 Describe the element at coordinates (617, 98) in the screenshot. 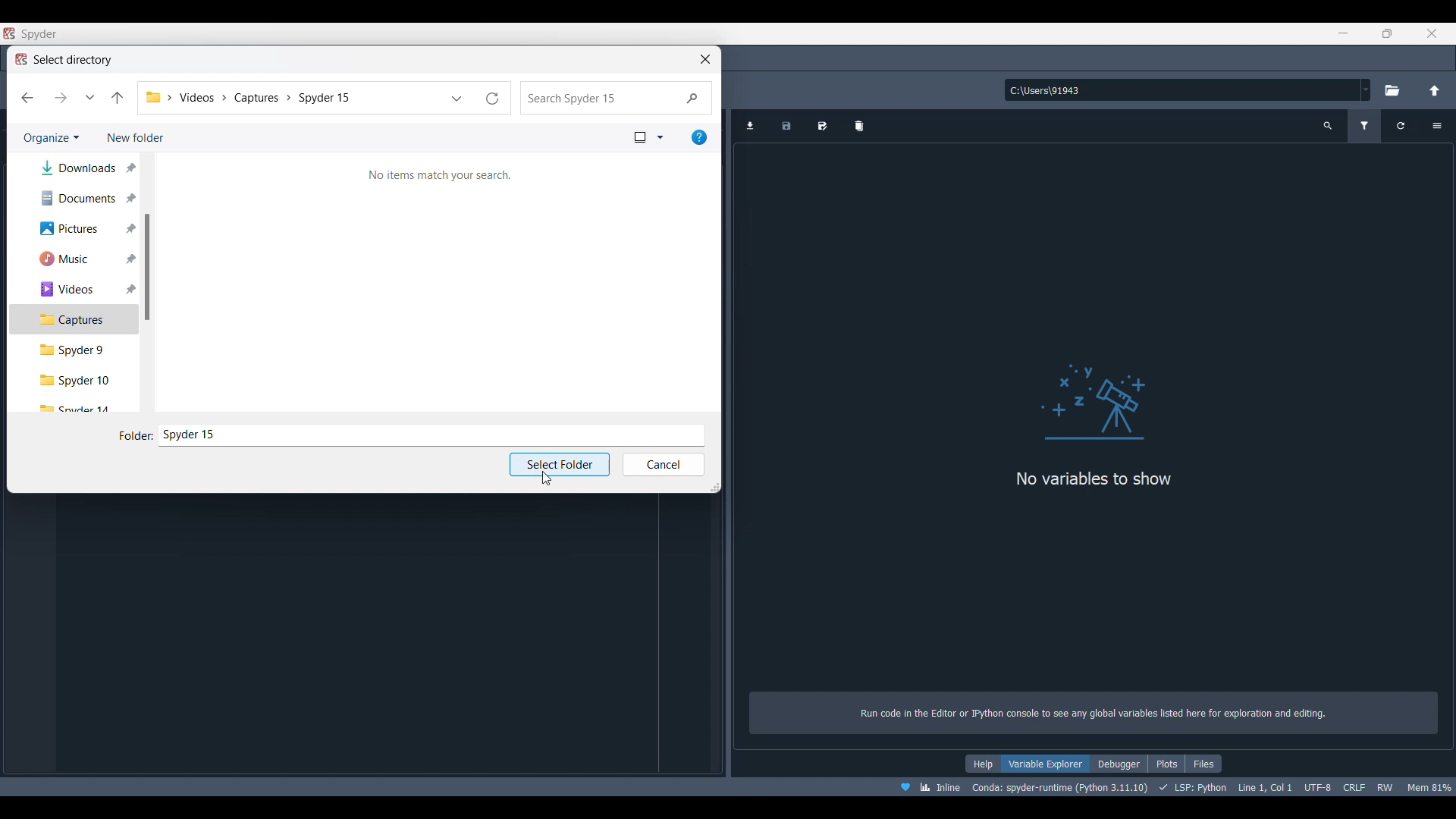

I see `Search box` at that location.